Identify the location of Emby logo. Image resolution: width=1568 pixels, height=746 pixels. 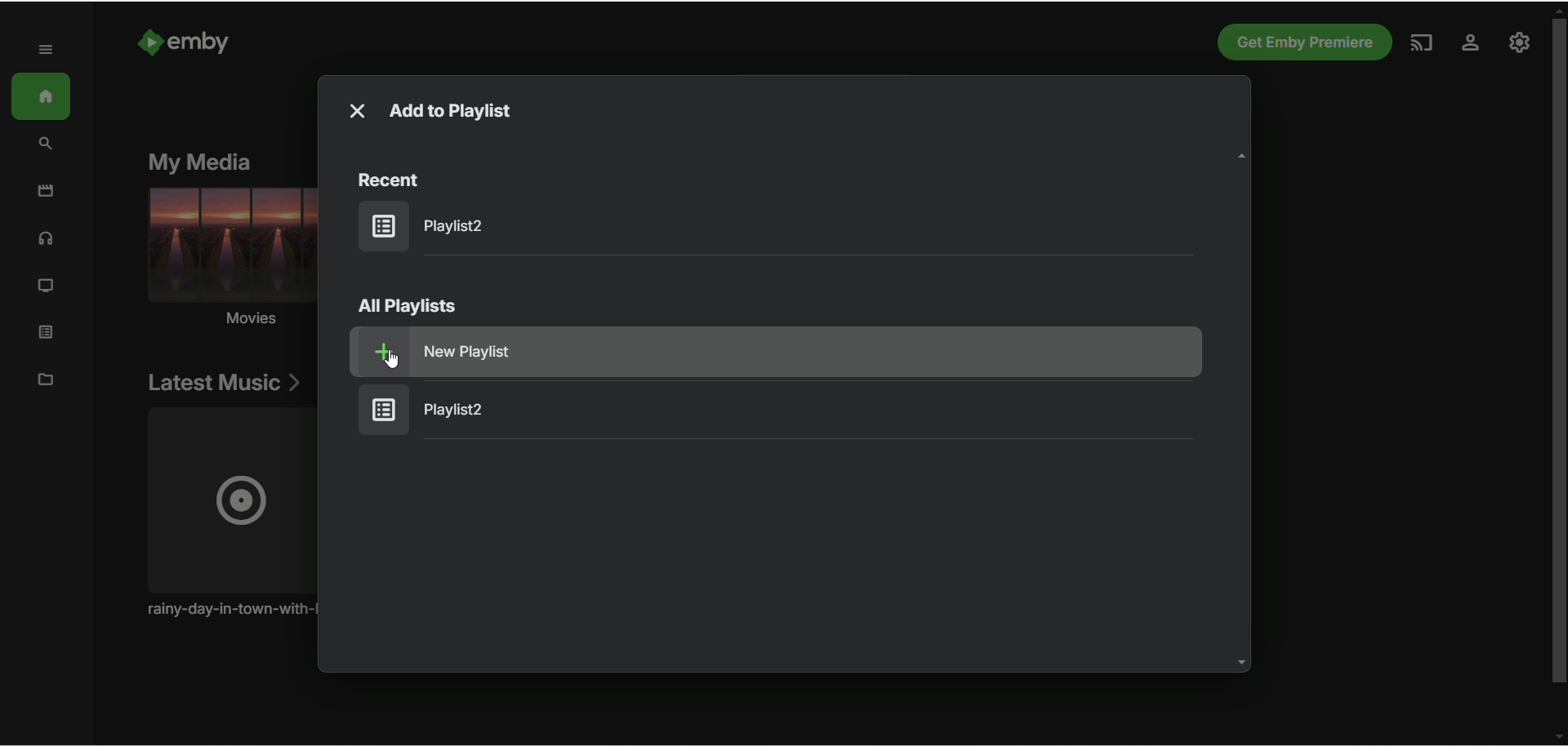
(149, 42).